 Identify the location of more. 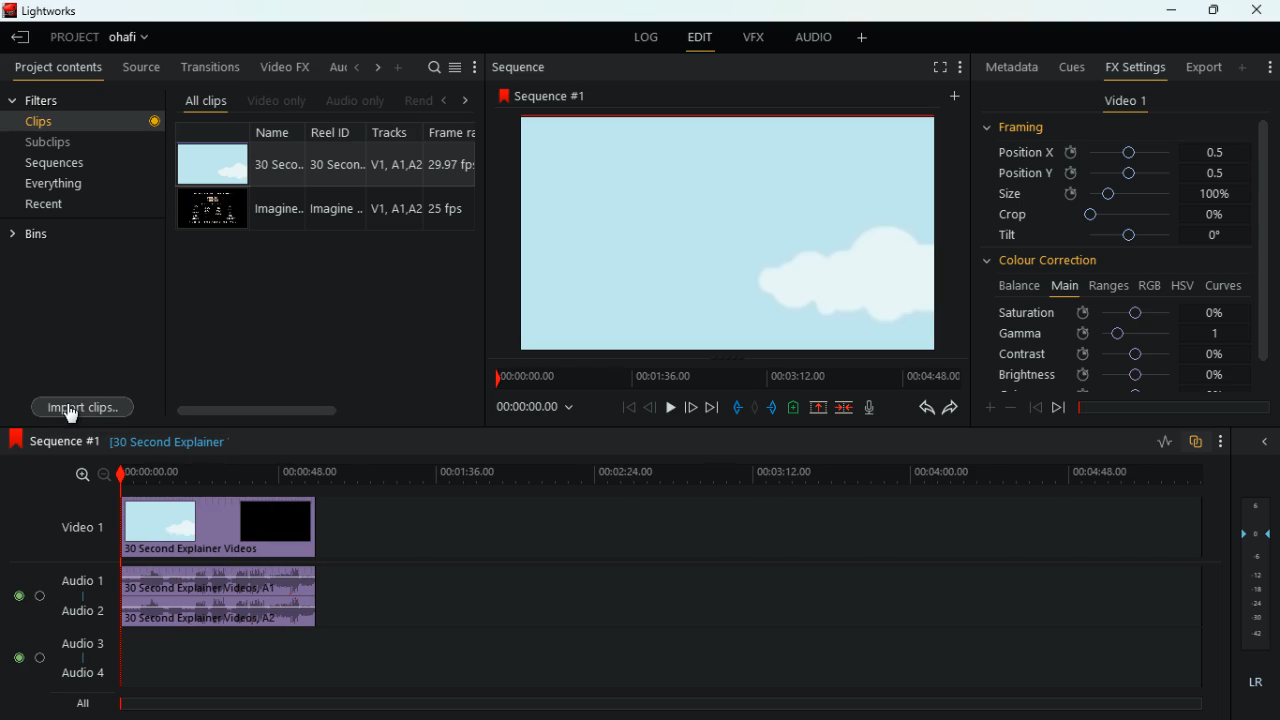
(398, 67).